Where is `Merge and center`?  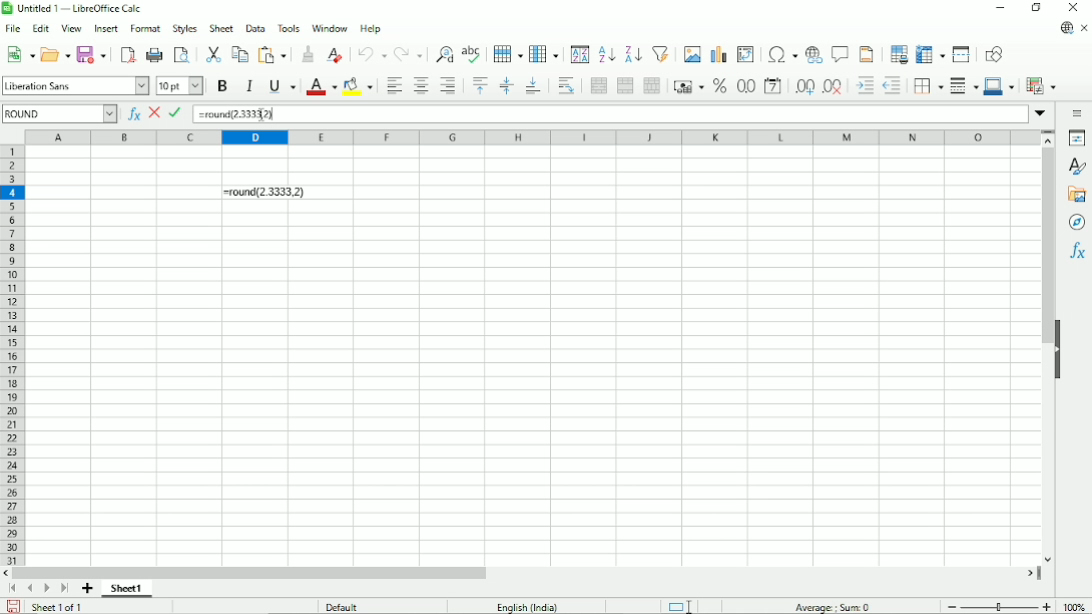
Merge and center is located at coordinates (599, 85).